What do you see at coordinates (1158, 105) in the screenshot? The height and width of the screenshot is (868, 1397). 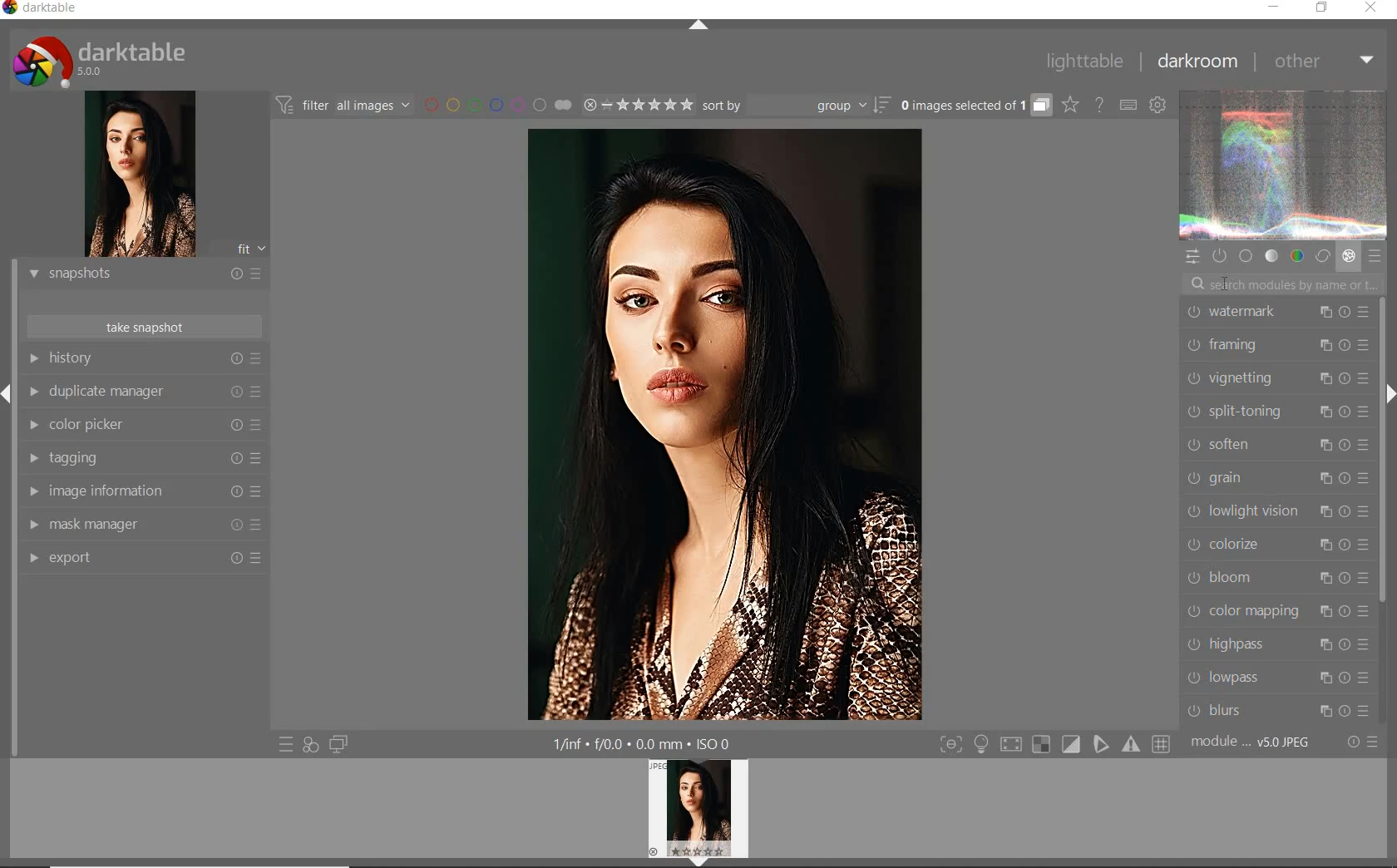 I see `show global preferences` at bounding box center [1158, 105].